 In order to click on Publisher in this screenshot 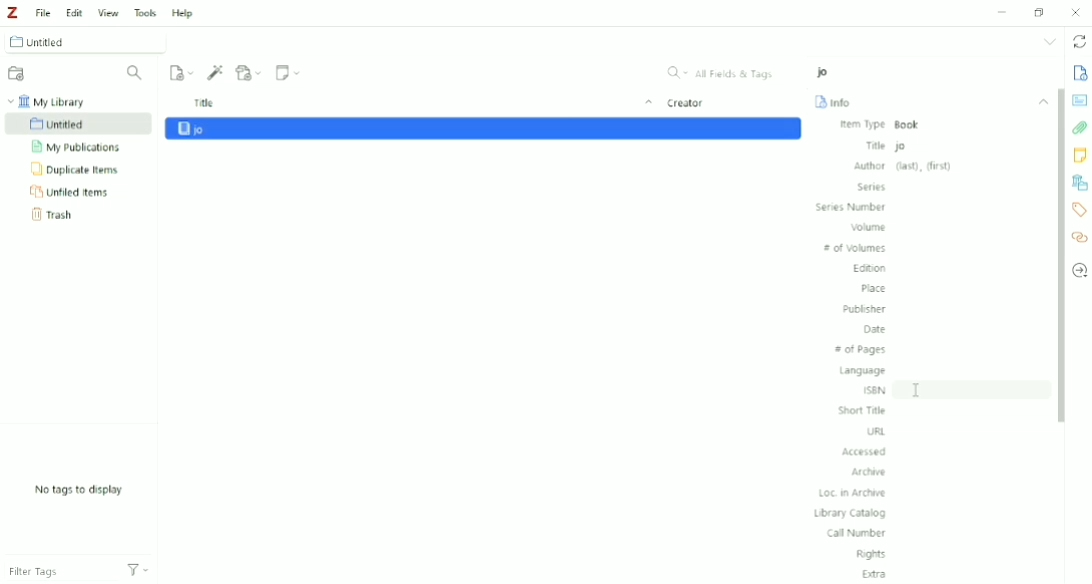, I will do `click(862, 309)`.